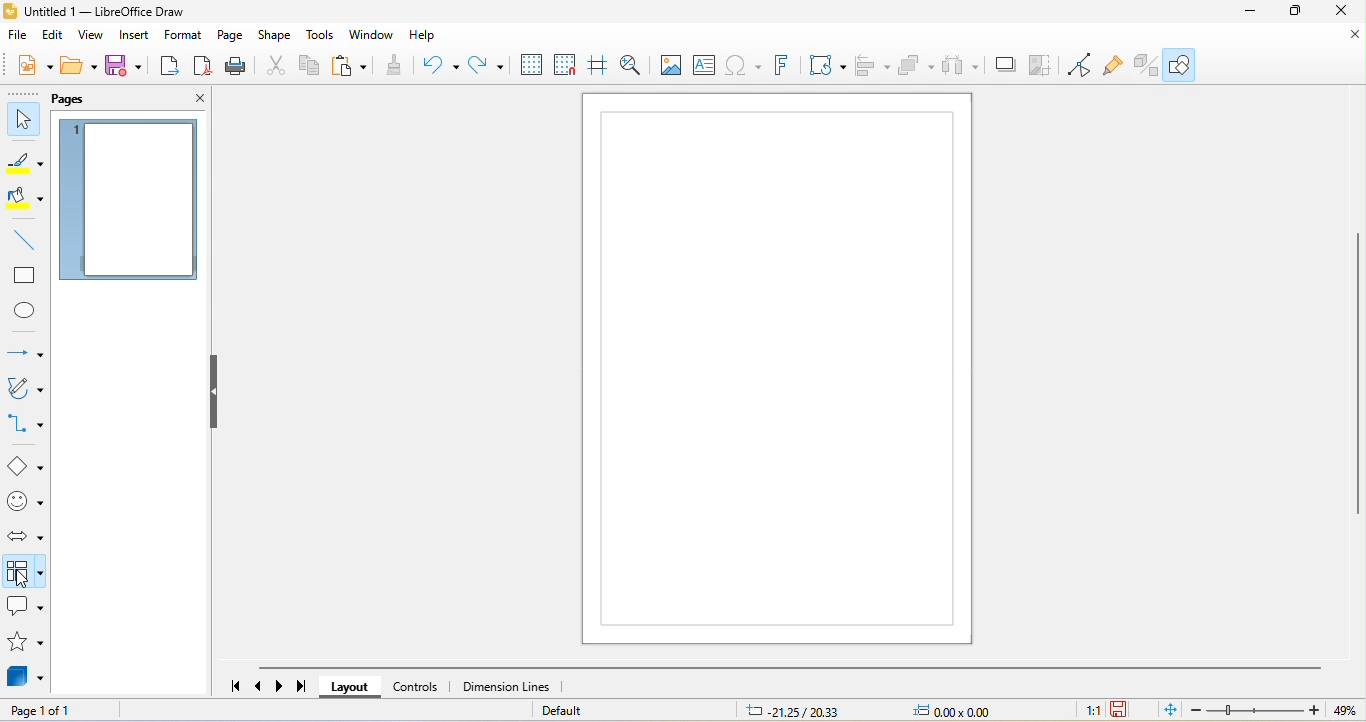 This screenshot has width=1366, height=722. I want to click on format, so click(186, 36).